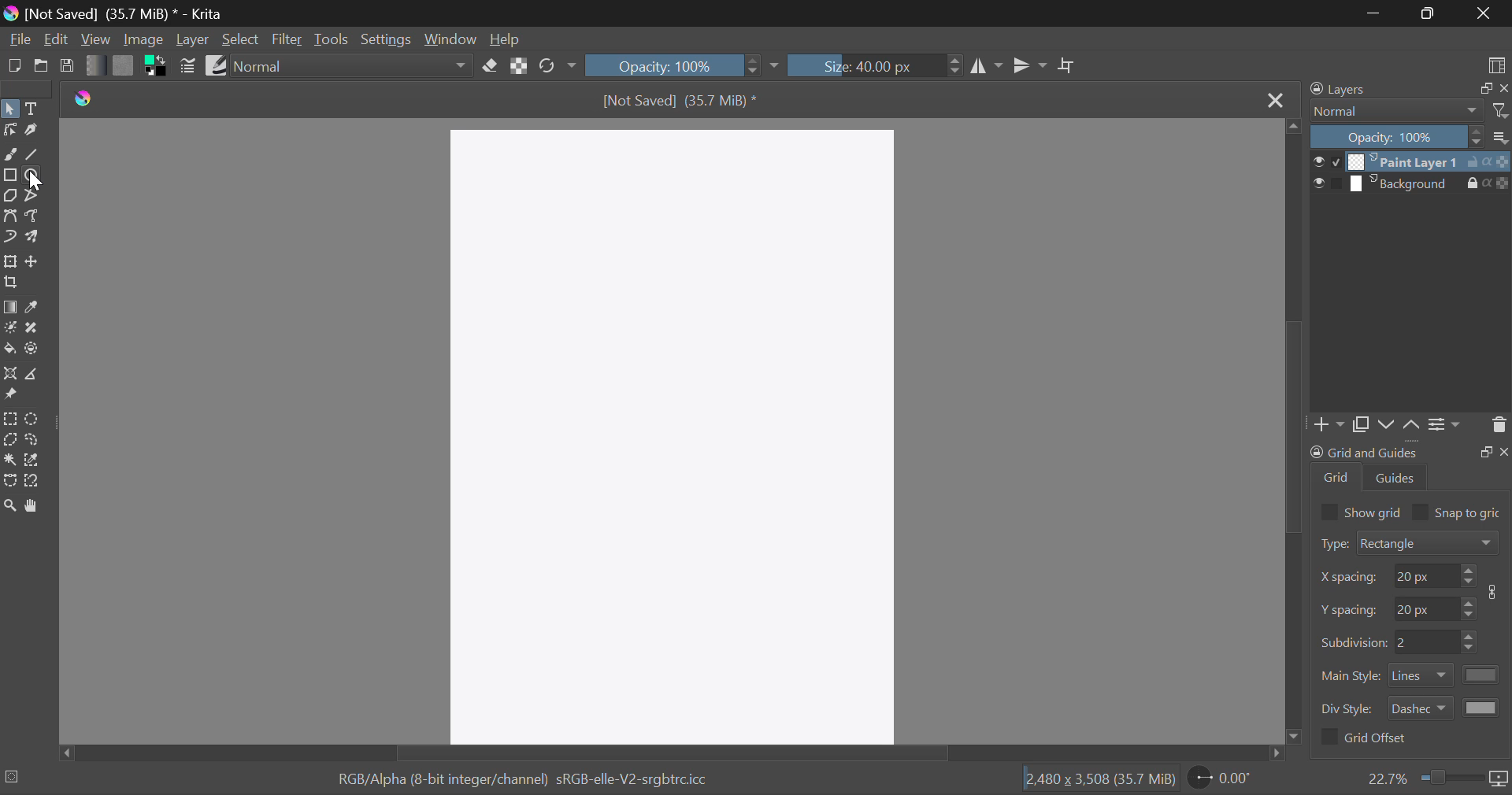  I want to click on Colors in Use, so click(157, 68).